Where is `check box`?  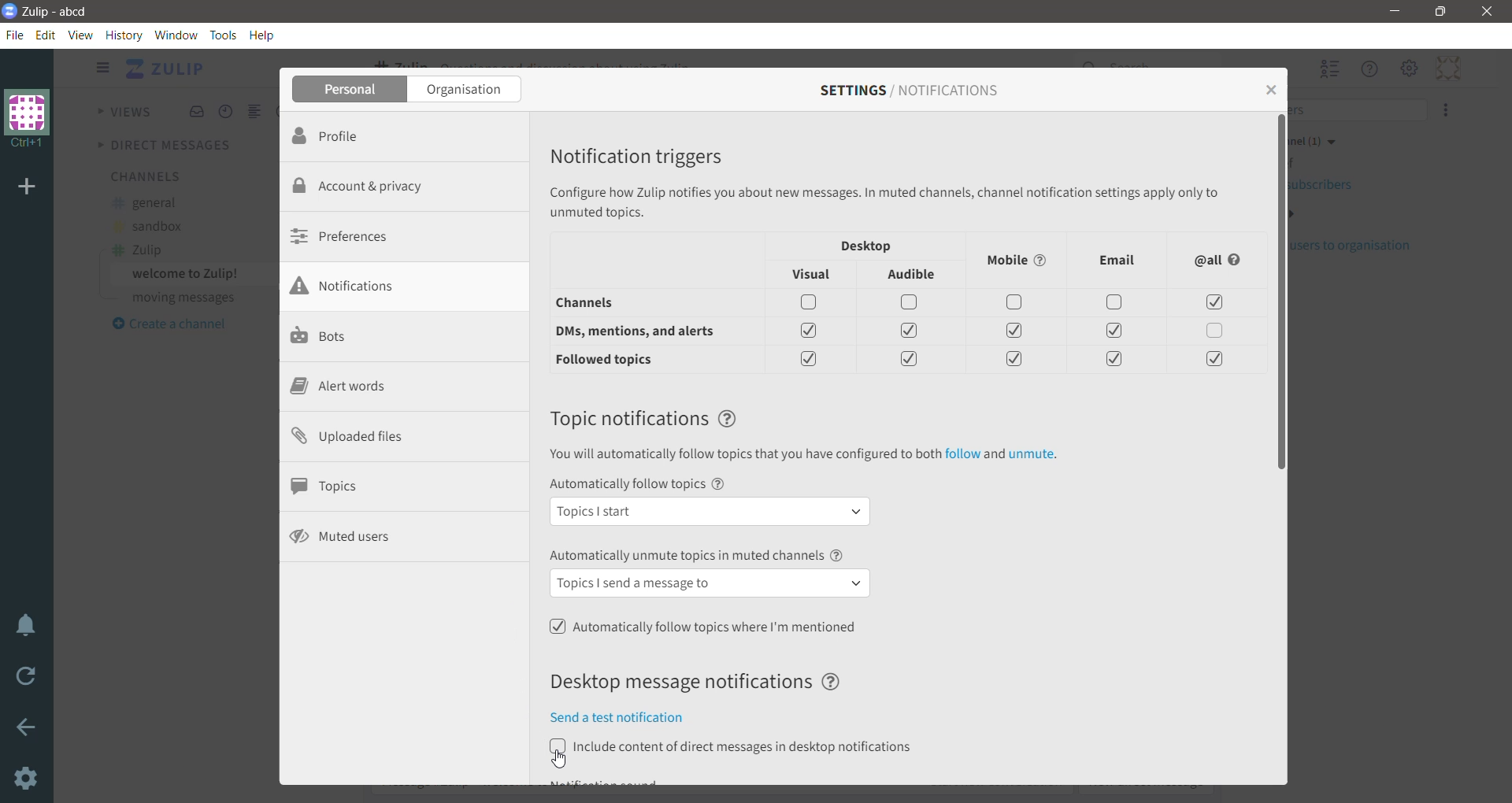 check box is located at coordinates (1116, 302).